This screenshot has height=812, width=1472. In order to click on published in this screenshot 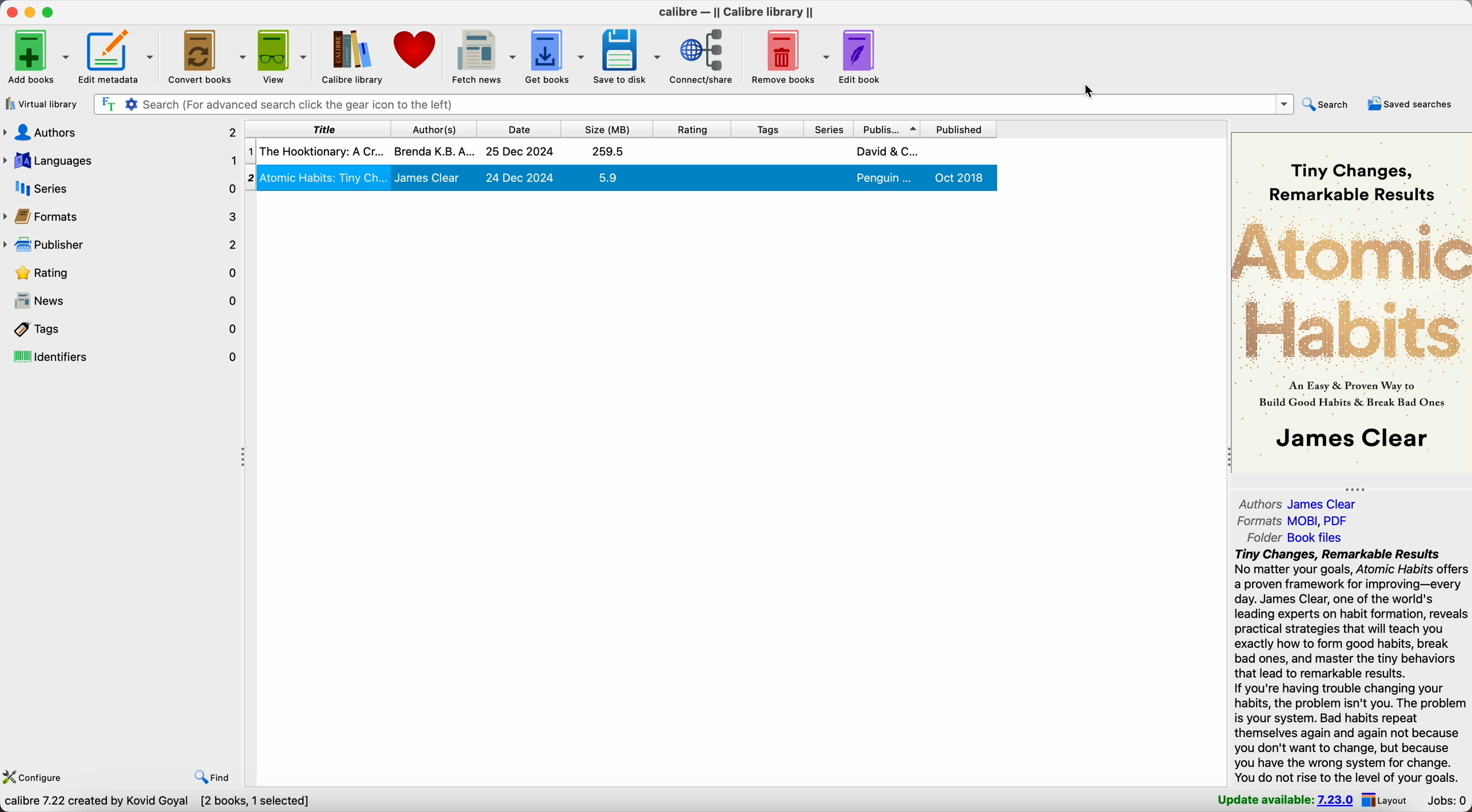, I will do `click(963, 128)`.